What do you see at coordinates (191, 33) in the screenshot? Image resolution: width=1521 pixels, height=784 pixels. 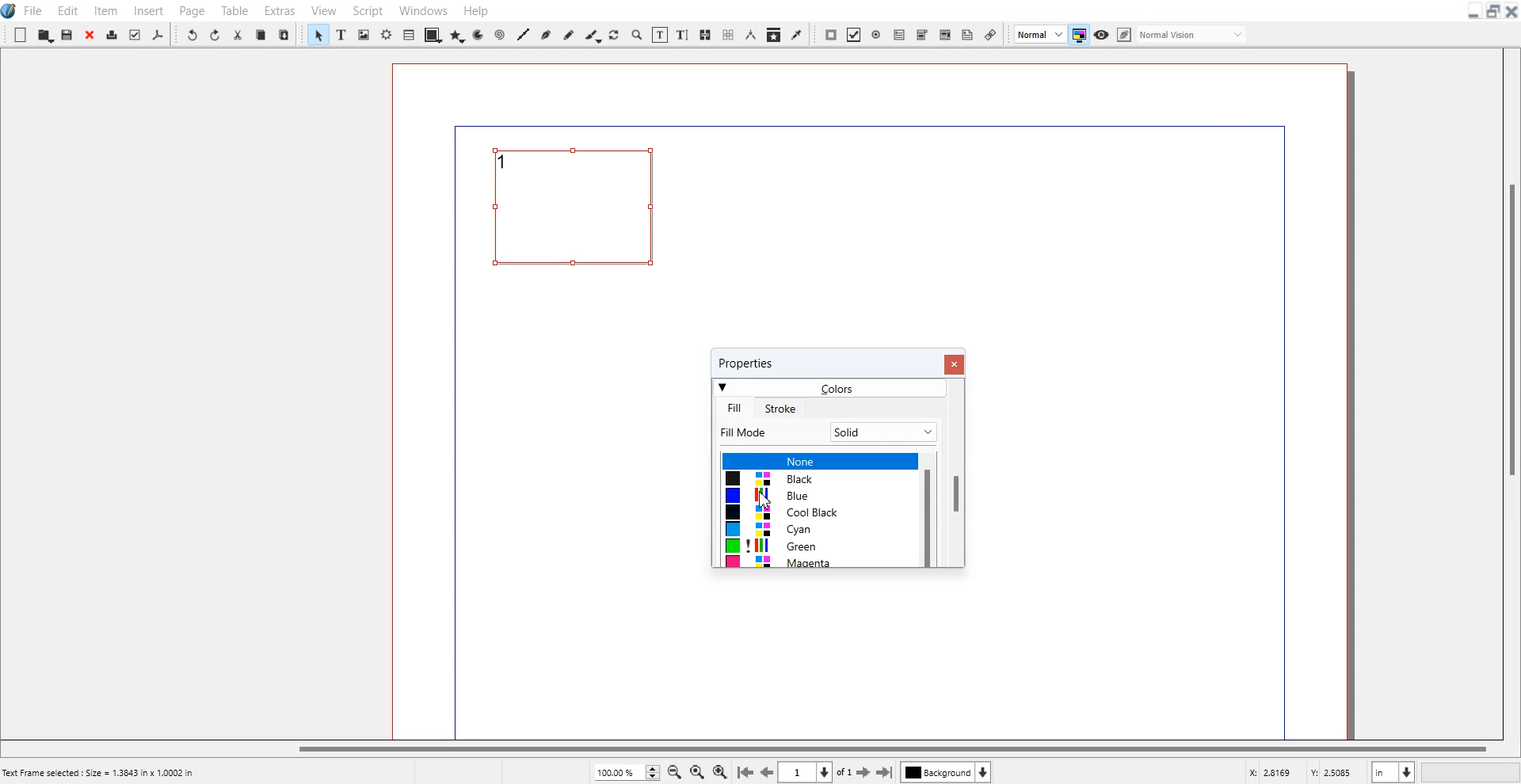 I see `Undo` at bounding box center [191, 33].